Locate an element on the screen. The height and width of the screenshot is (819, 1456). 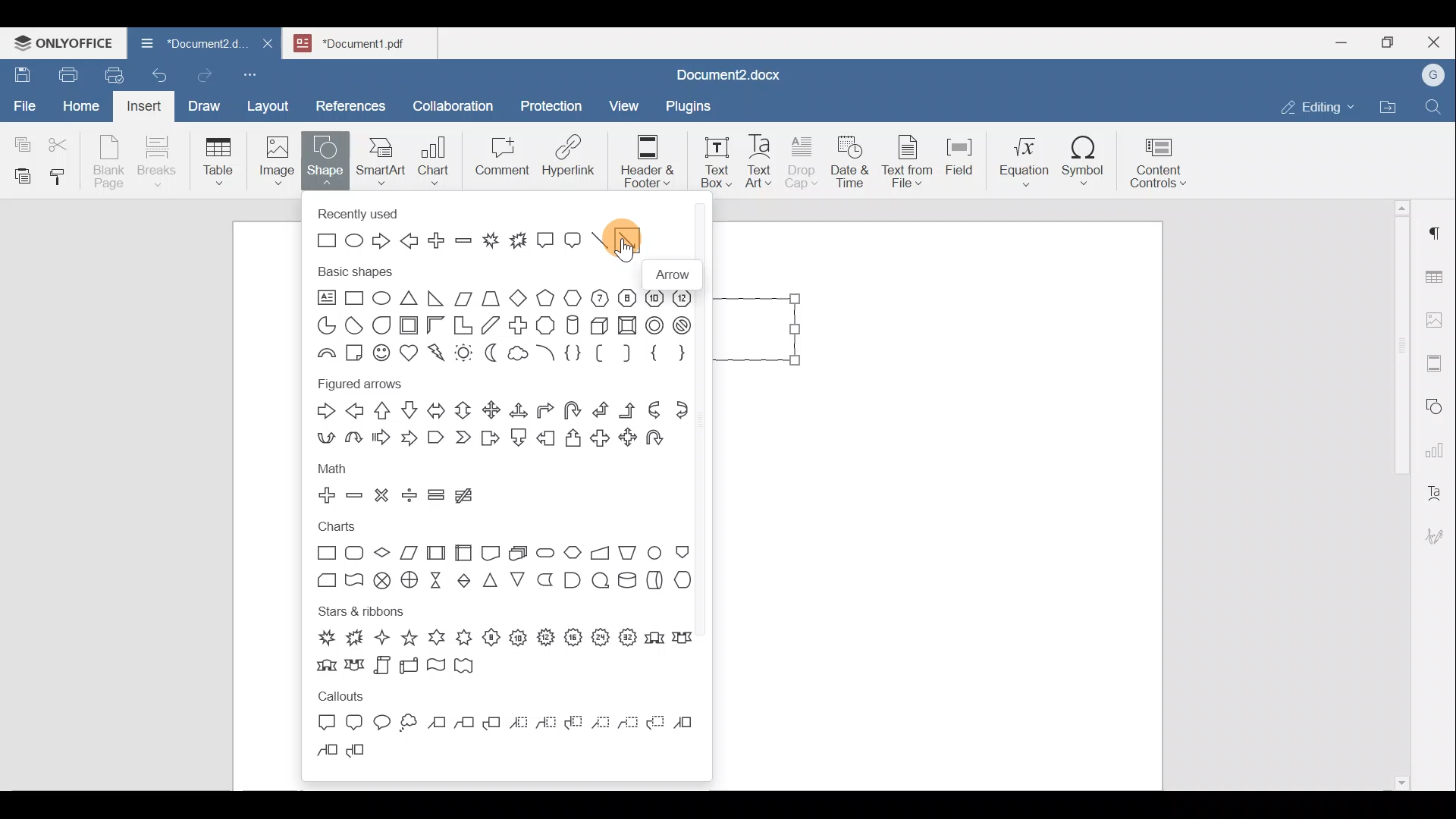
Paste is located at coordinates (19, 172).